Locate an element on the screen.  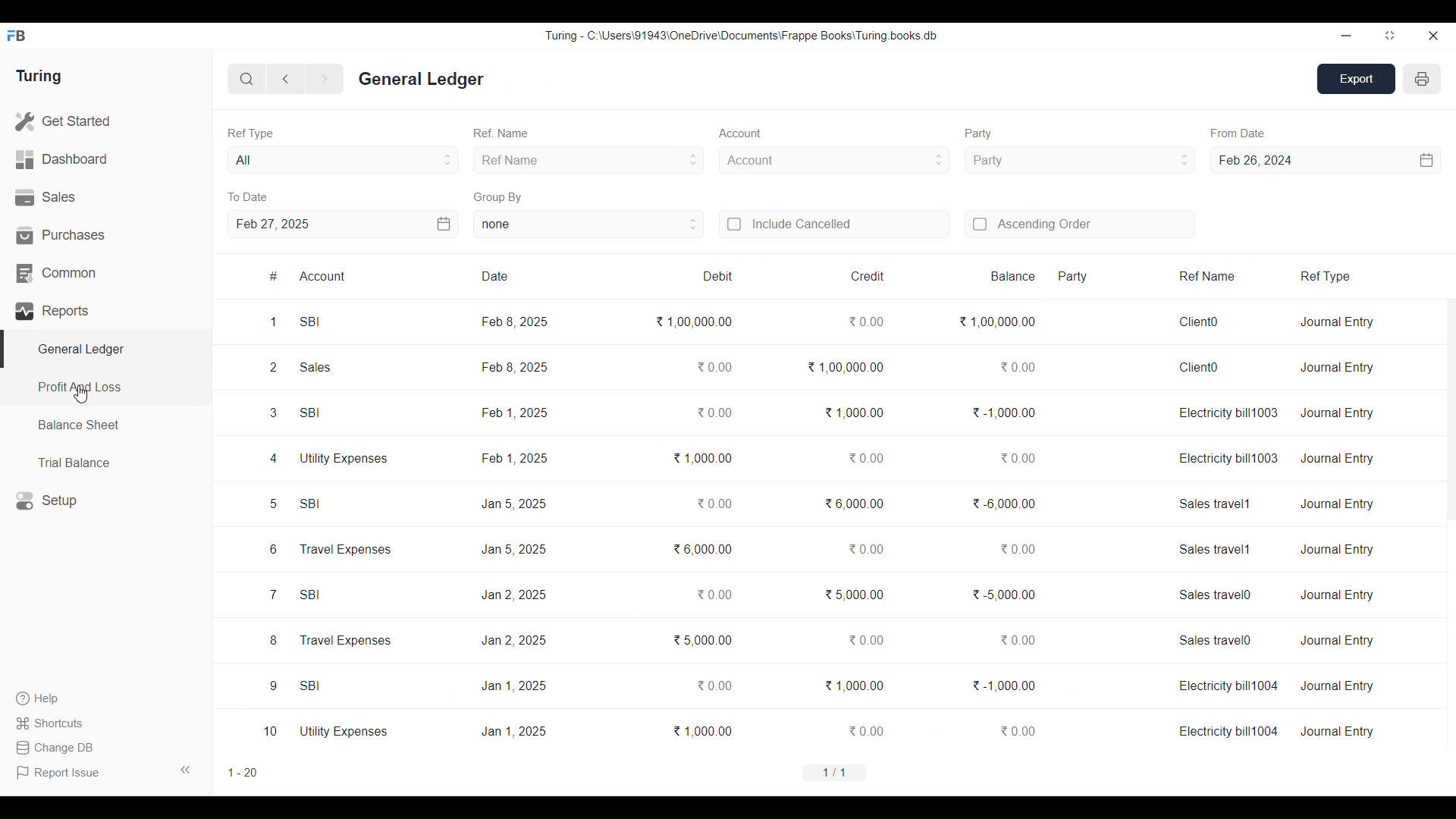
0.00 is located at coordinates (866, 640).